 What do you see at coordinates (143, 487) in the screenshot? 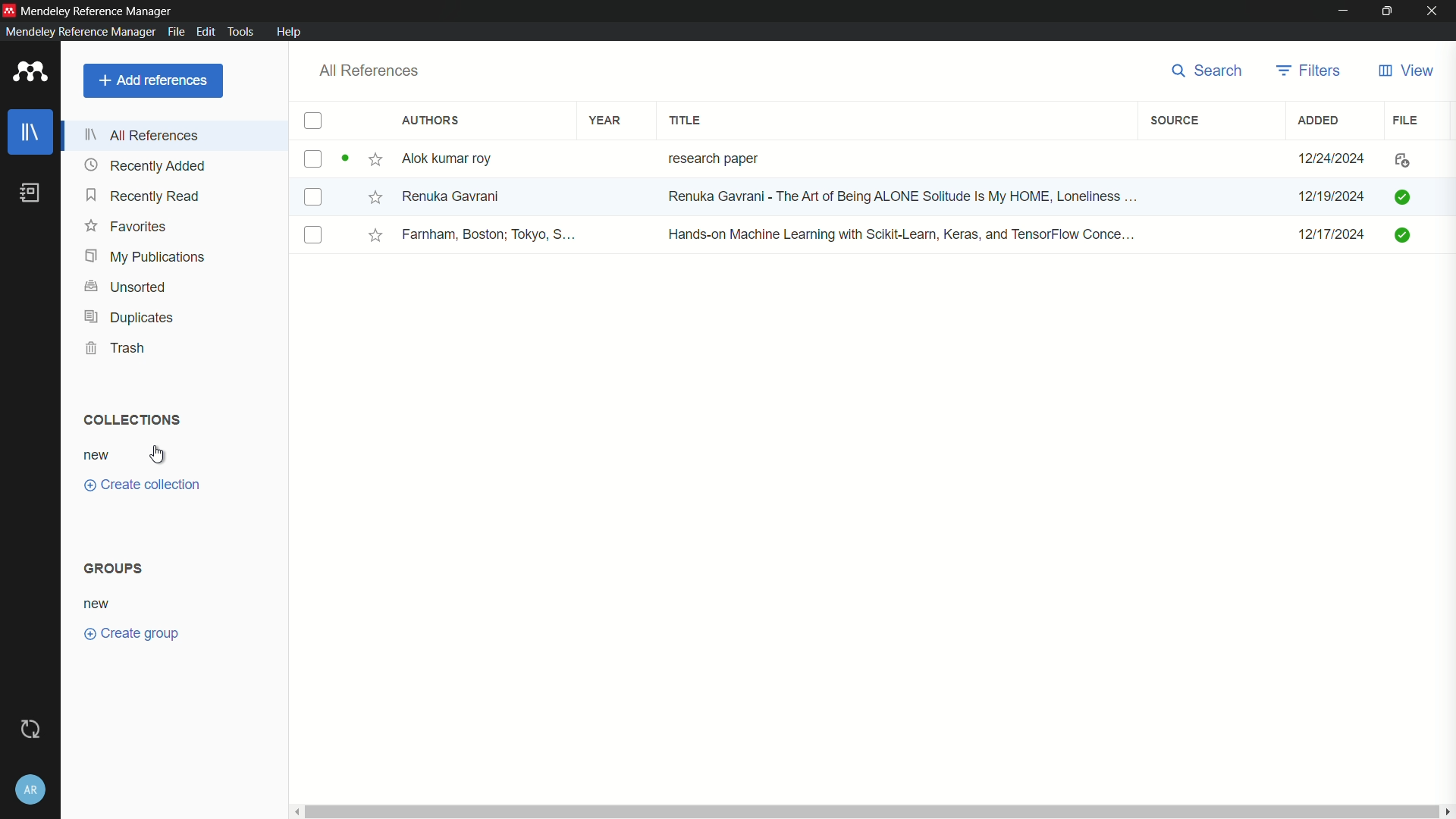
I see `create collection` at bounding box center [143, 487].